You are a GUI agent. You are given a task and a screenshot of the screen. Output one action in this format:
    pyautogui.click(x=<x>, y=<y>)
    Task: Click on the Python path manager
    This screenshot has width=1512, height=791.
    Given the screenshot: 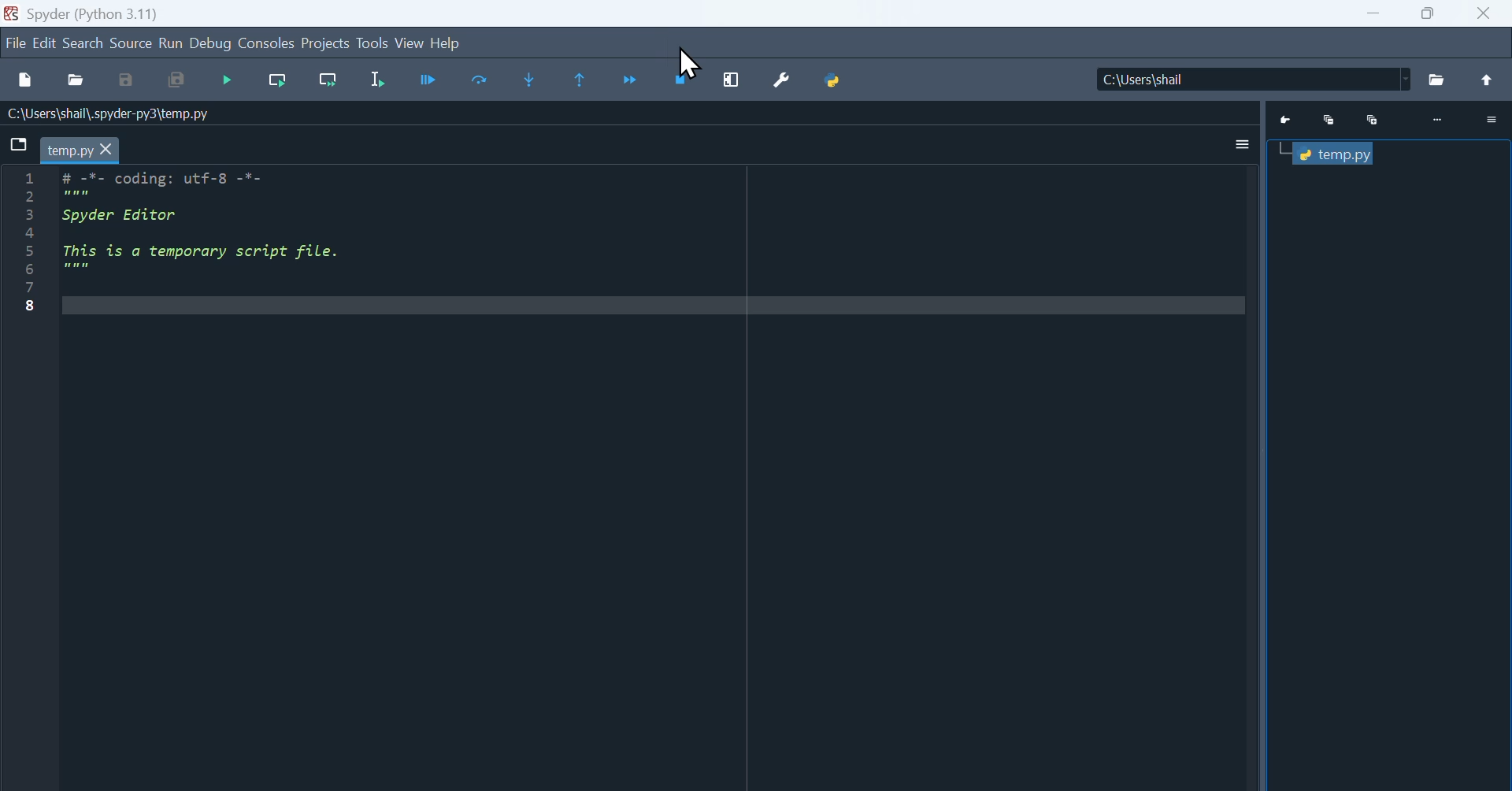 What is the action you would take?
    pyautogui.click(x=833, y=81)
    